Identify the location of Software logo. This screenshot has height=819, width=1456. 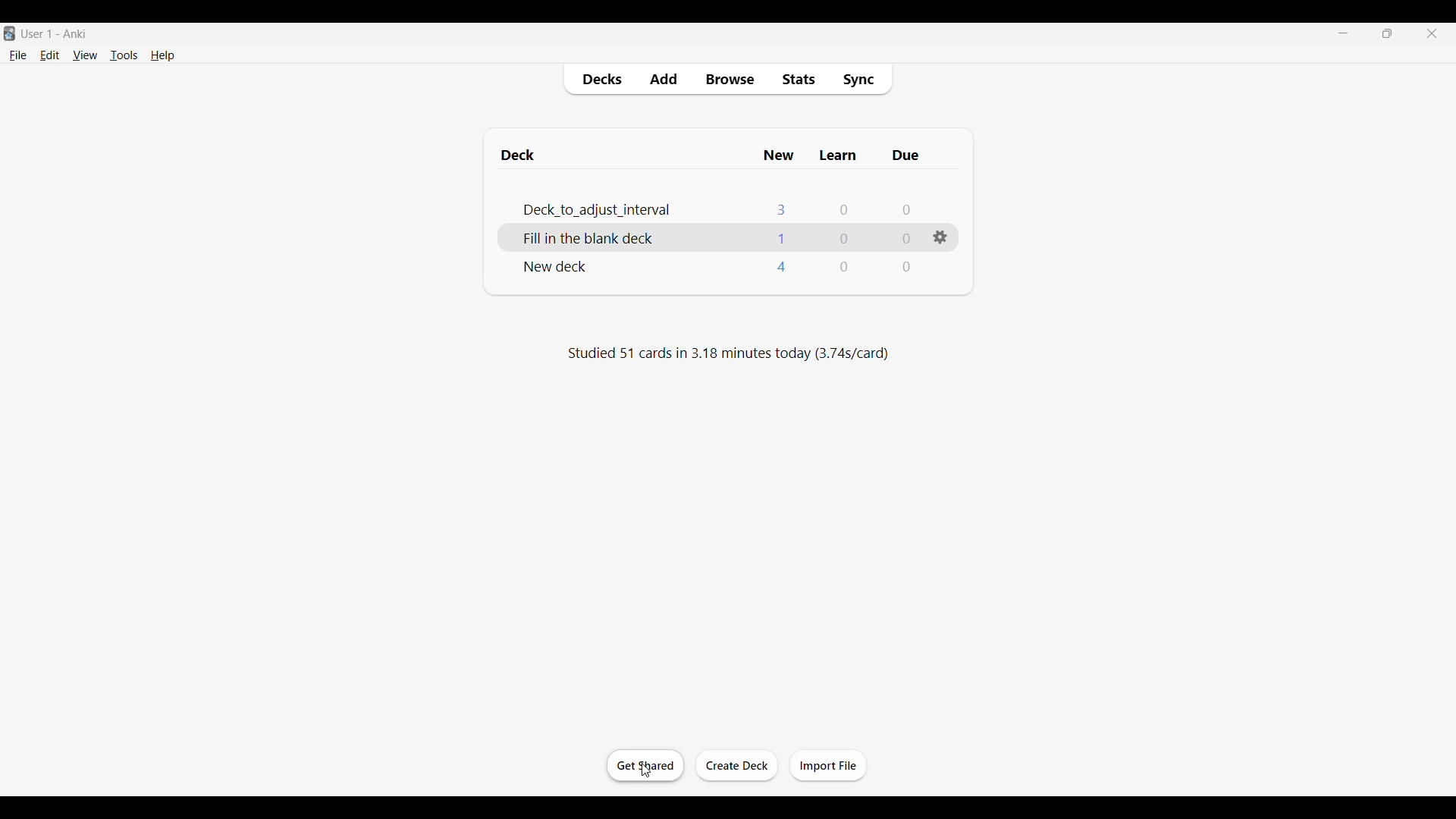
(10, 33).